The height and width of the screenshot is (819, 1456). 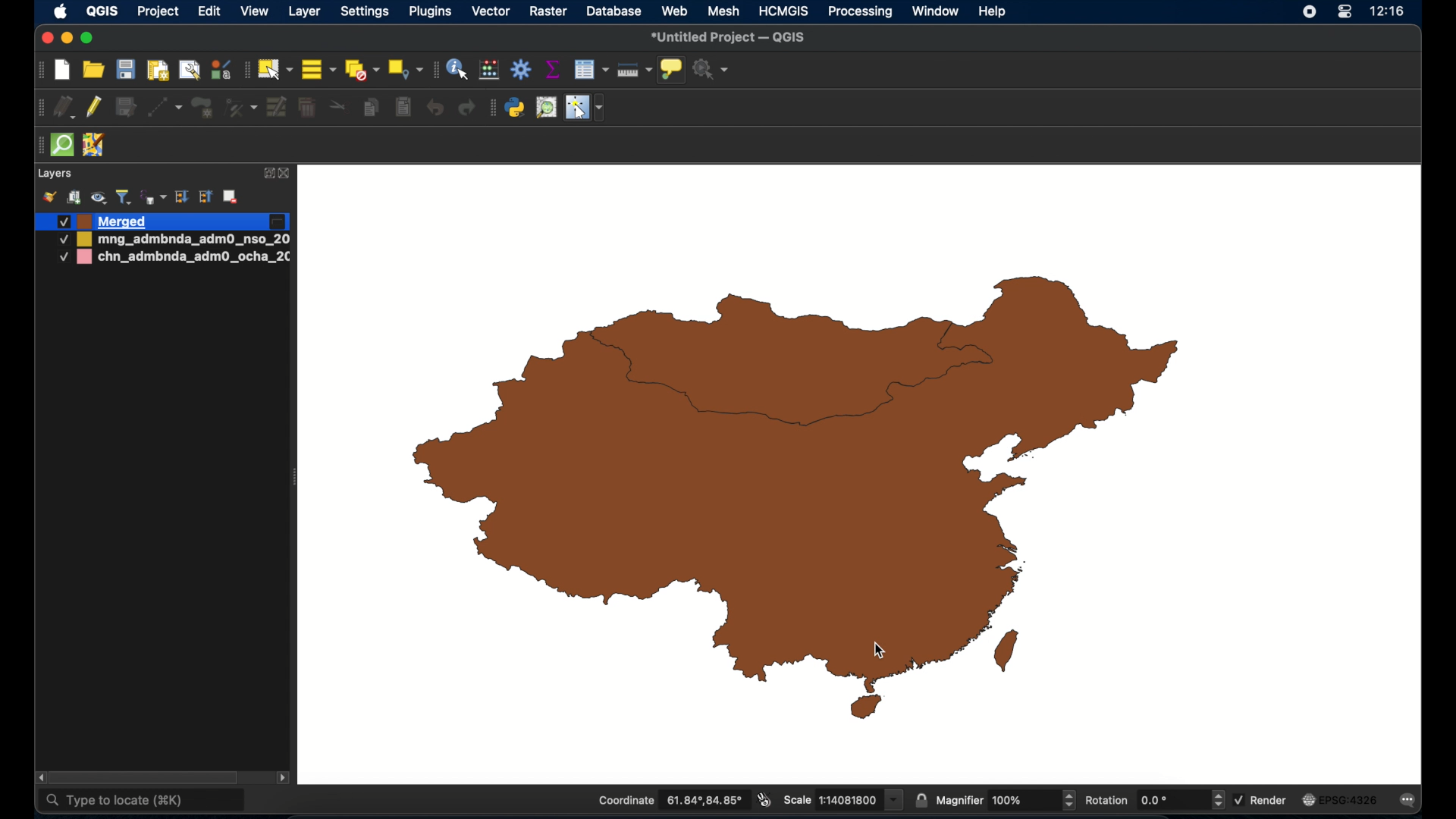 What do you see at coordinates (278, 108) in the screenshot?
I see `modify attributes` at bounding box center [278, 108].